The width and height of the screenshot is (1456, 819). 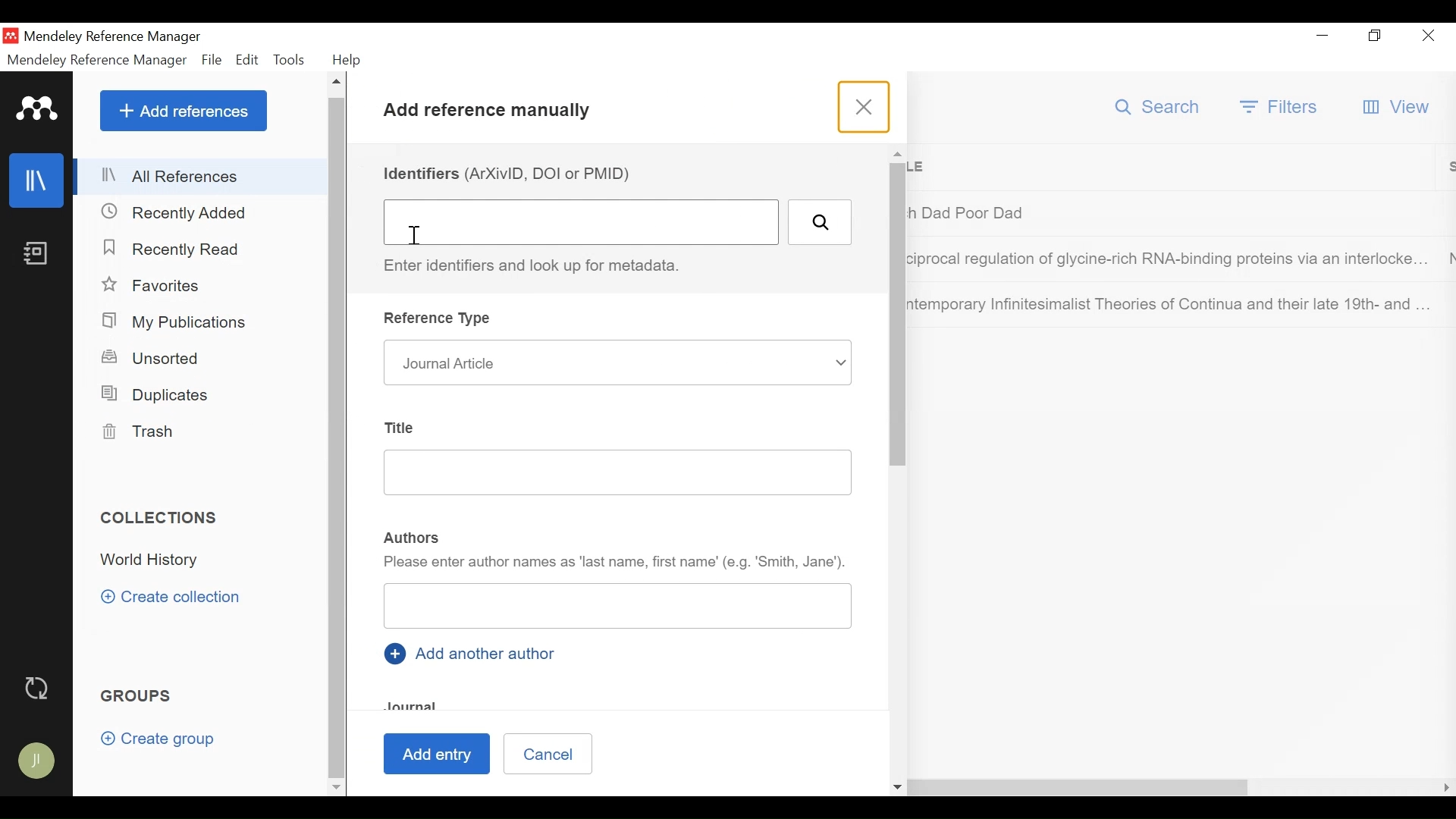 What do you see at coordinates (1428, 37) in the screenshot?
I see `Close` at bounding box center [1428, 37].